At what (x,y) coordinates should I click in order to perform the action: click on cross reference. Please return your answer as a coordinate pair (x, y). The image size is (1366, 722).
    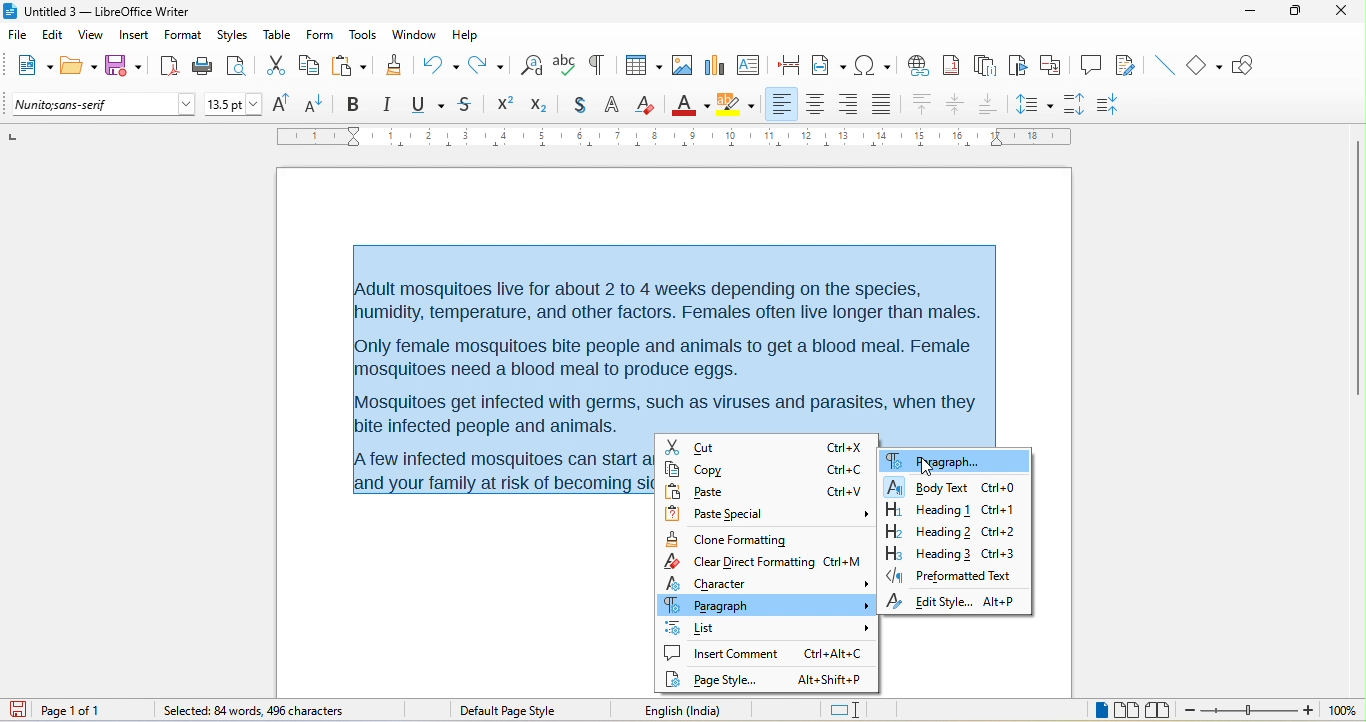
    Looking at the image, I should click on (1055, 65).